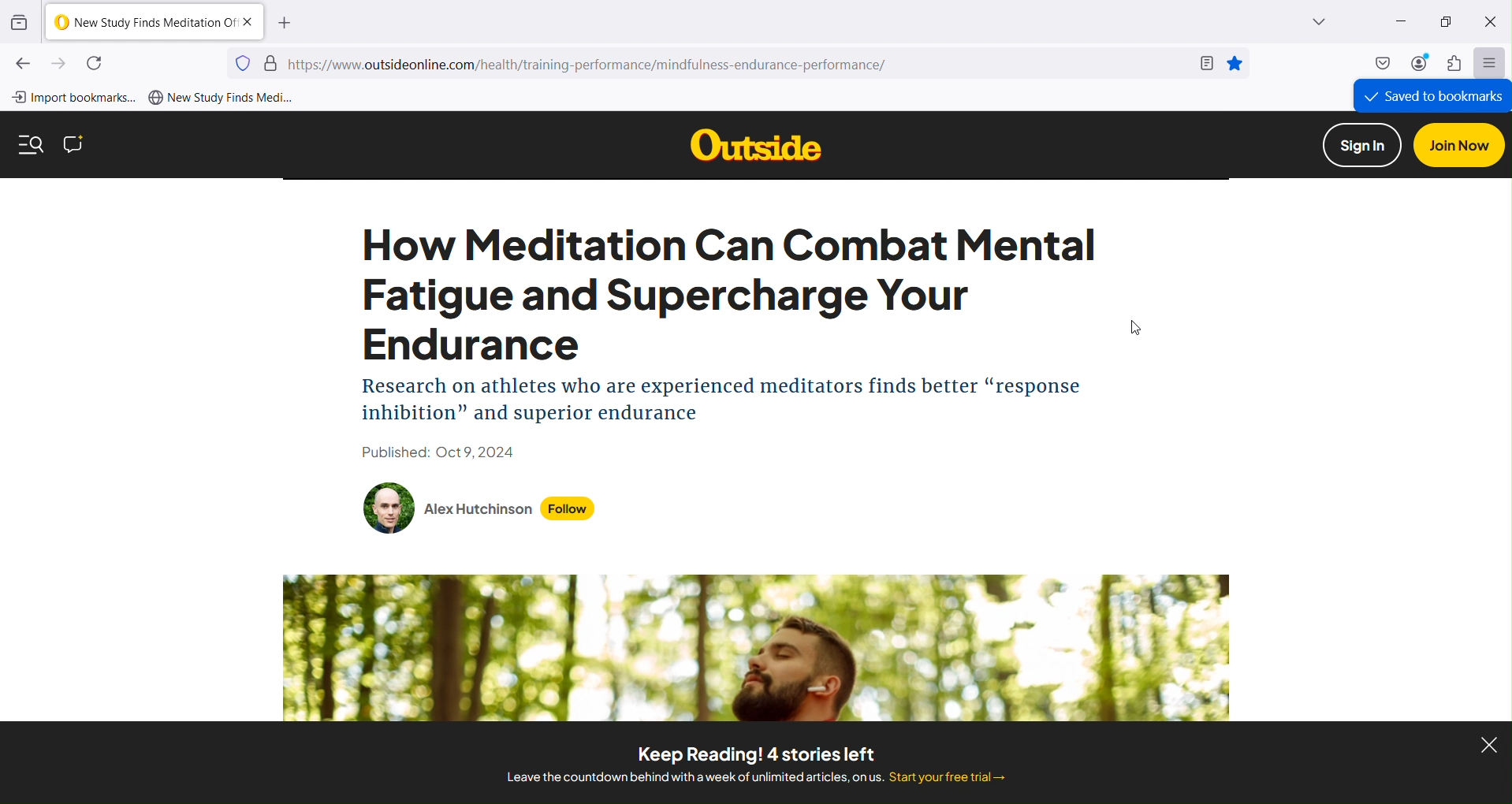  Describe the element at coordinates (243, 62) in the screenshot. I see `Blocking social media trackers, cross-site tracking cookies and fingerprints` at that location.